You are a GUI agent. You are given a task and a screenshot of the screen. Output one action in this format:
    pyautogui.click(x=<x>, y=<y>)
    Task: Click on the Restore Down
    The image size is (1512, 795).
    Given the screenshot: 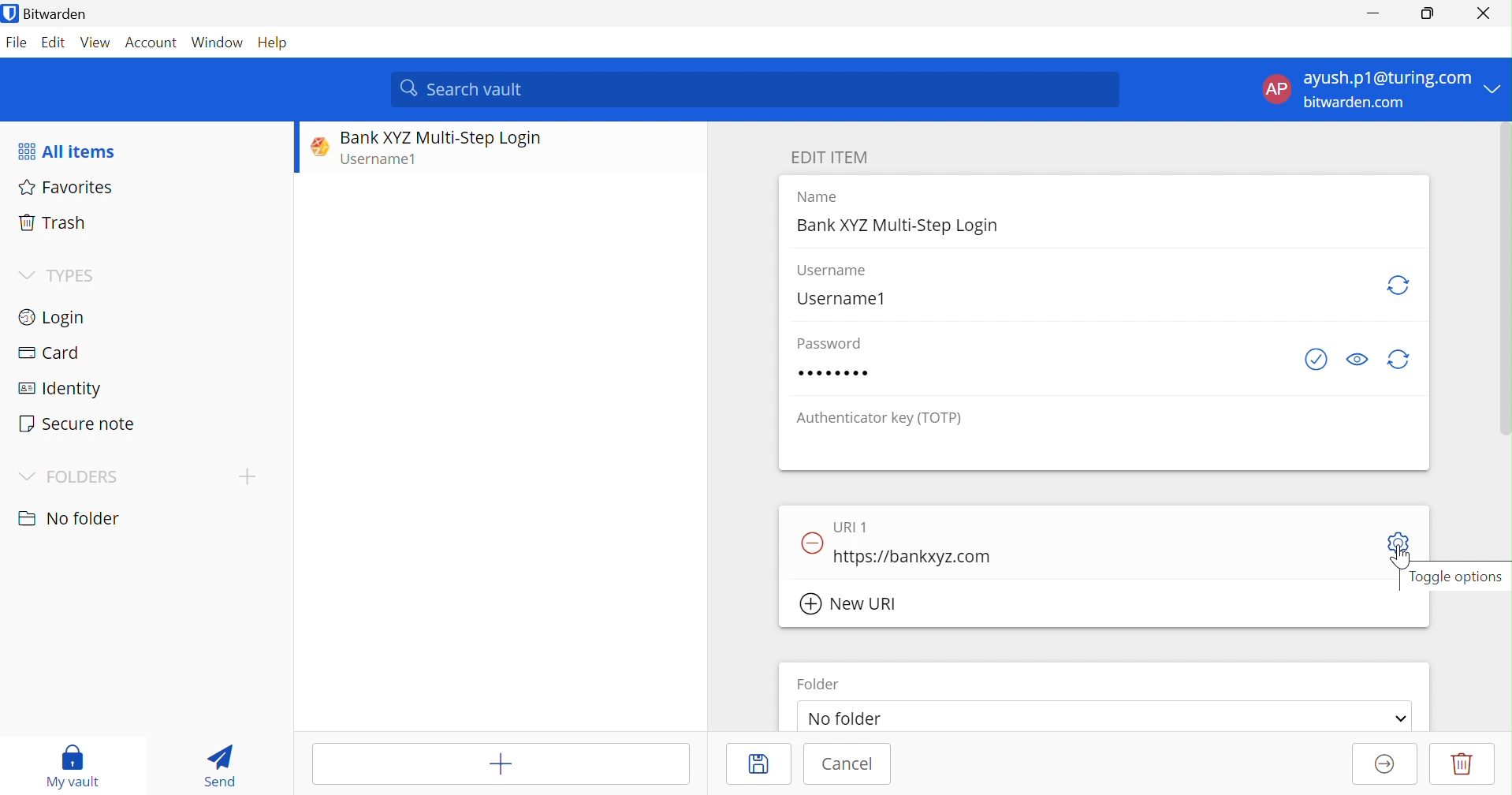 What is the action you would take?
    pyautogui.click(x=1428, y=11)
    